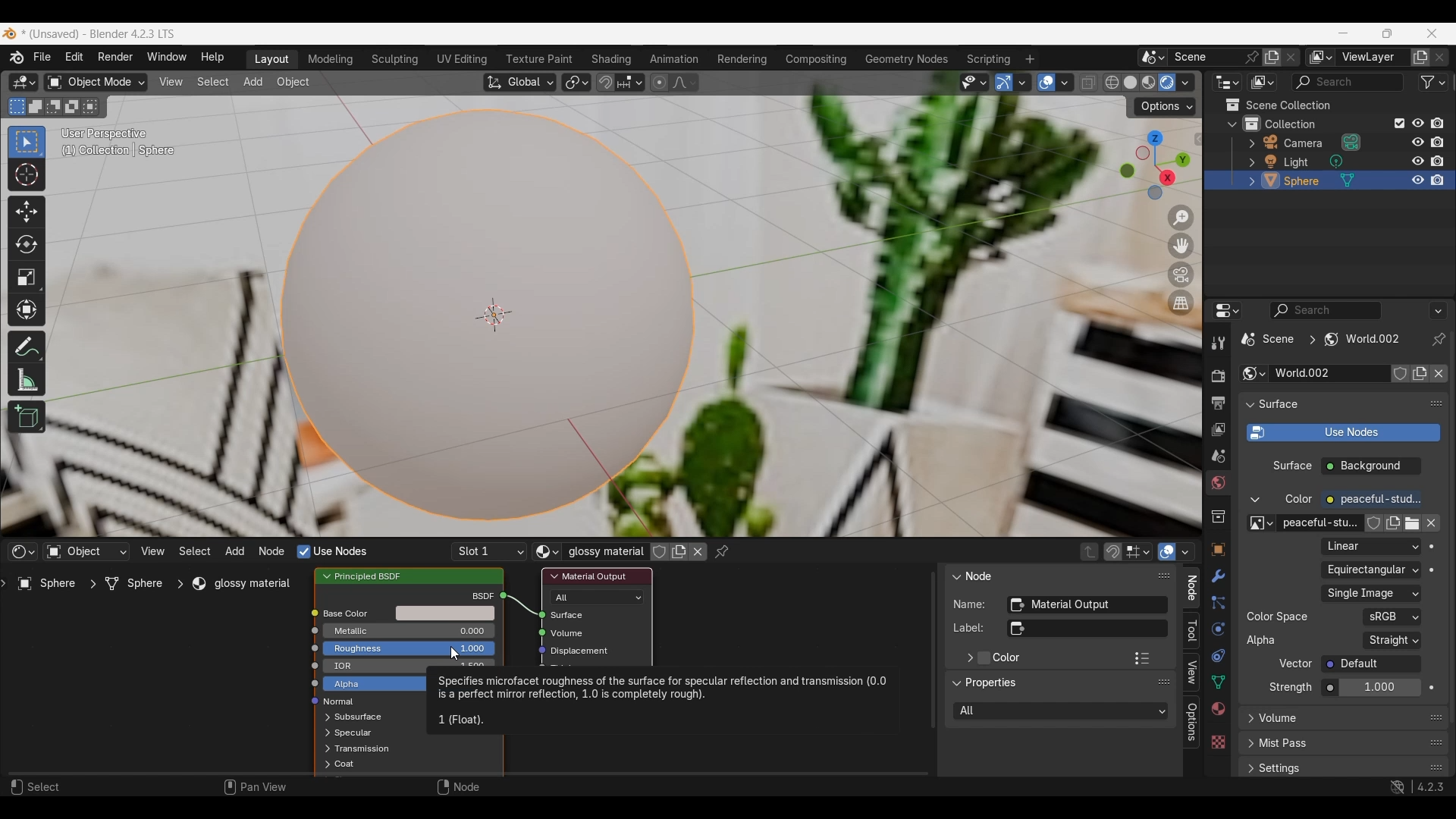 This screenshot has height=819, width=1456. What do you see at coordinates (1217, 430) in the screenshot?
I see `View layer properties` at bounding box center [1217, 430].